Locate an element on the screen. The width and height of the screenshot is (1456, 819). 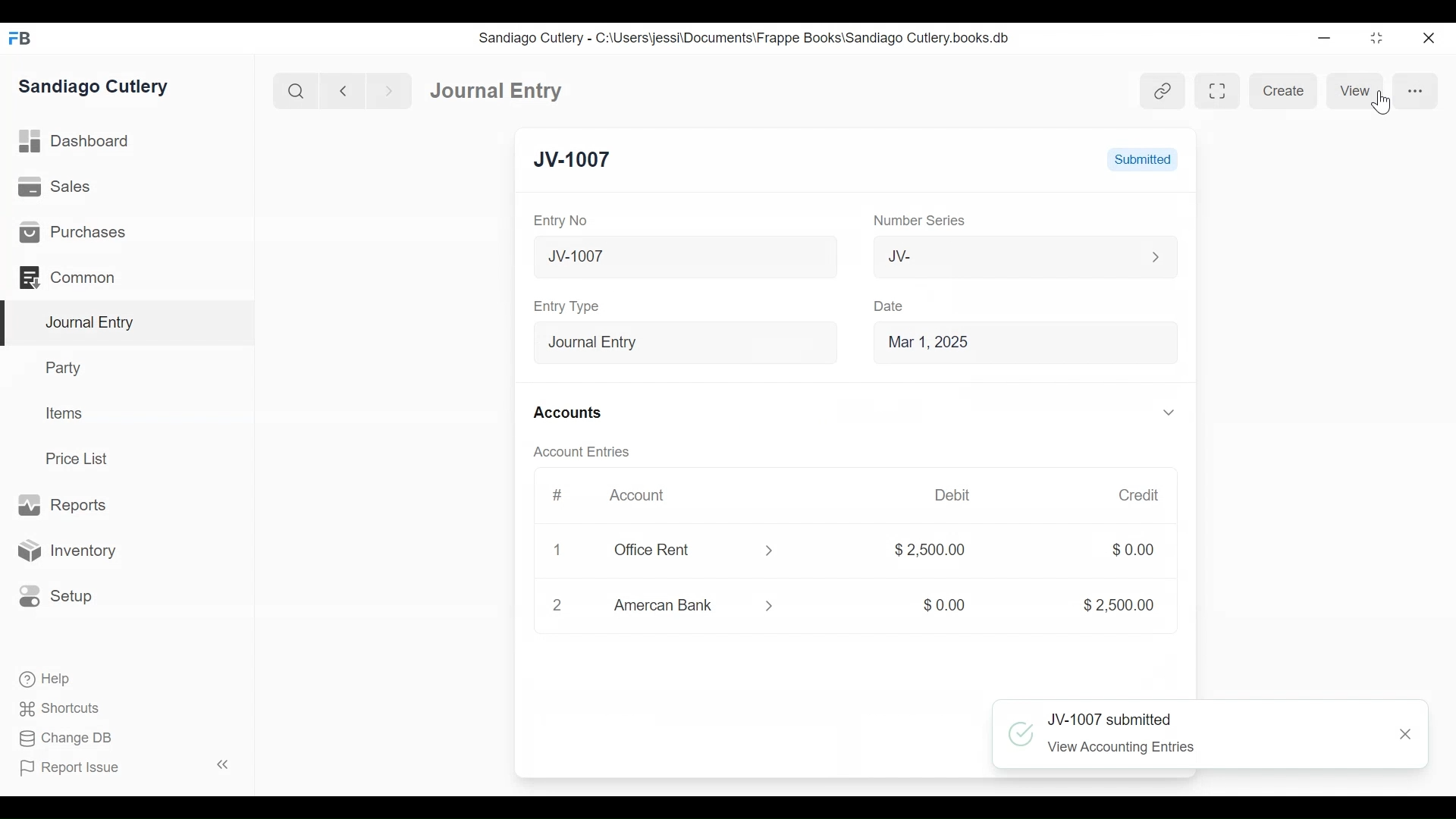
minimize is located at coordinates (1326, 35).